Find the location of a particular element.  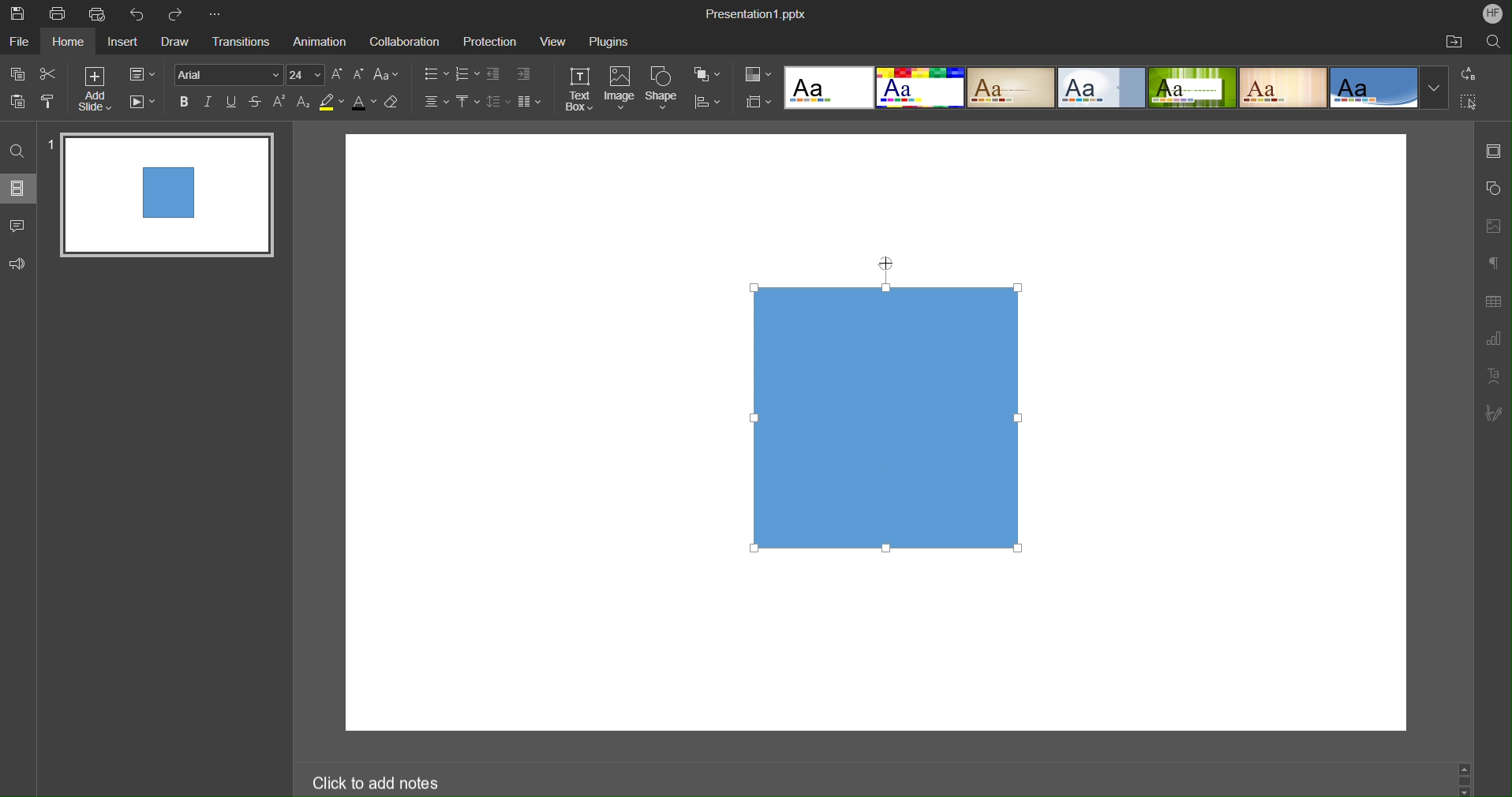

Decrease Indent is located at coordinates (494, 74).